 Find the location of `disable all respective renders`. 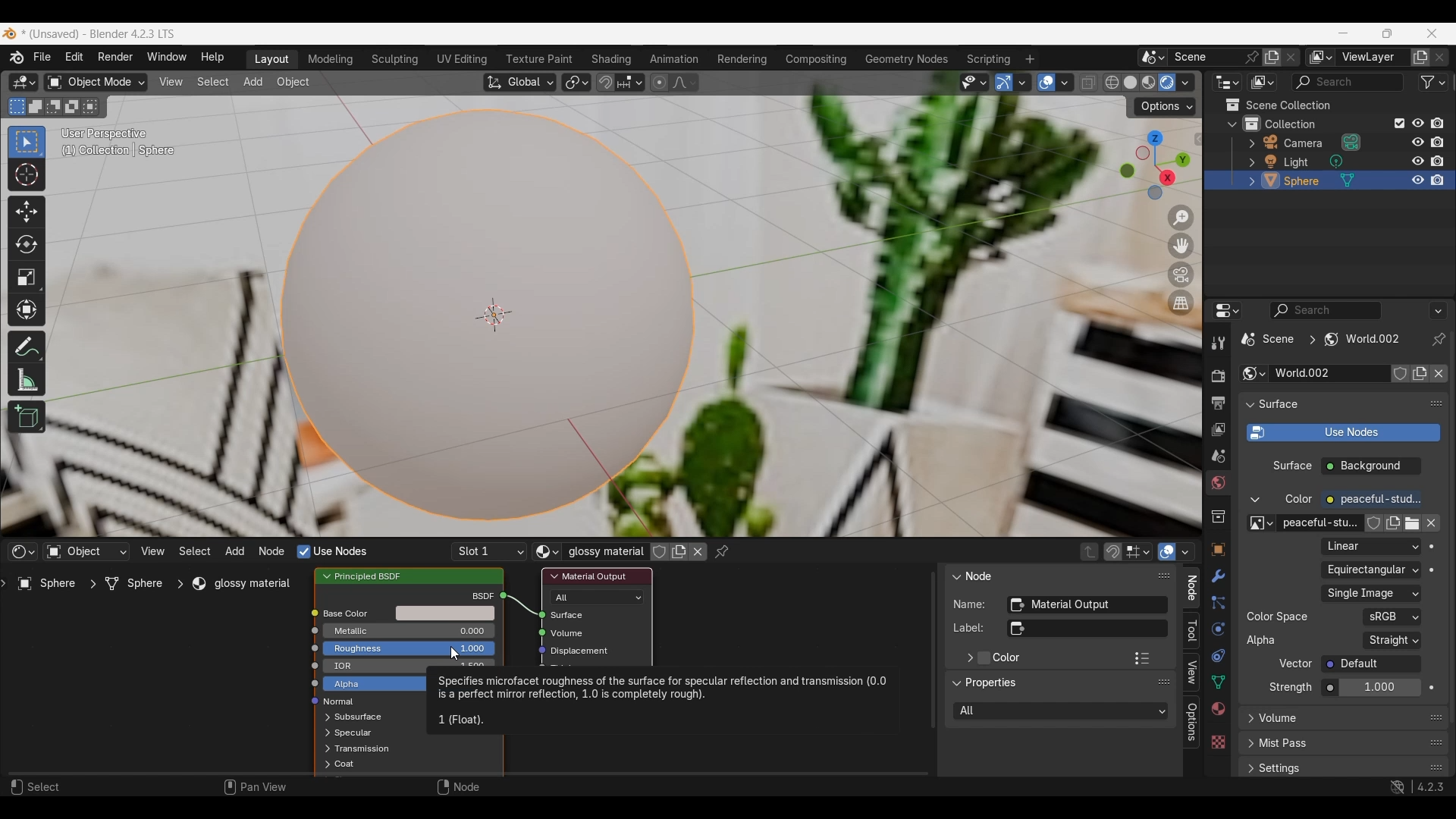

disable all respective renders is located at coordinates (1442, 143).